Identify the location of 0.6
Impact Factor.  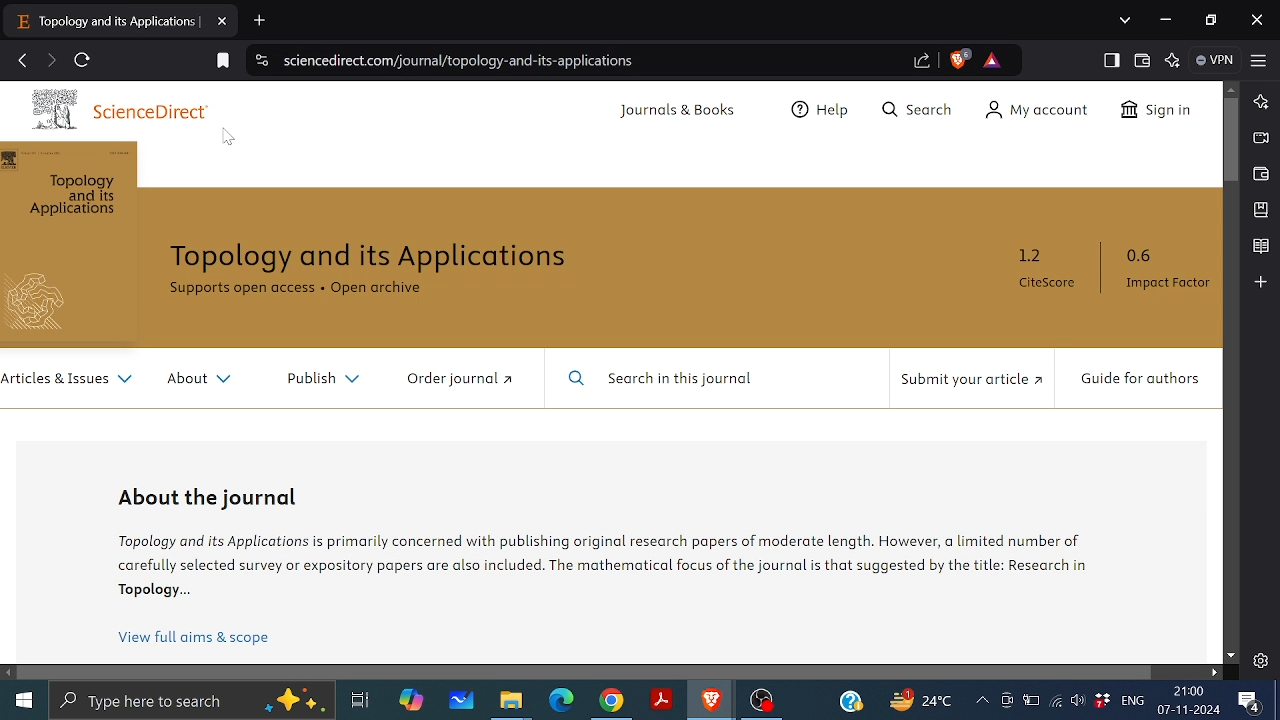
(1164, 272).